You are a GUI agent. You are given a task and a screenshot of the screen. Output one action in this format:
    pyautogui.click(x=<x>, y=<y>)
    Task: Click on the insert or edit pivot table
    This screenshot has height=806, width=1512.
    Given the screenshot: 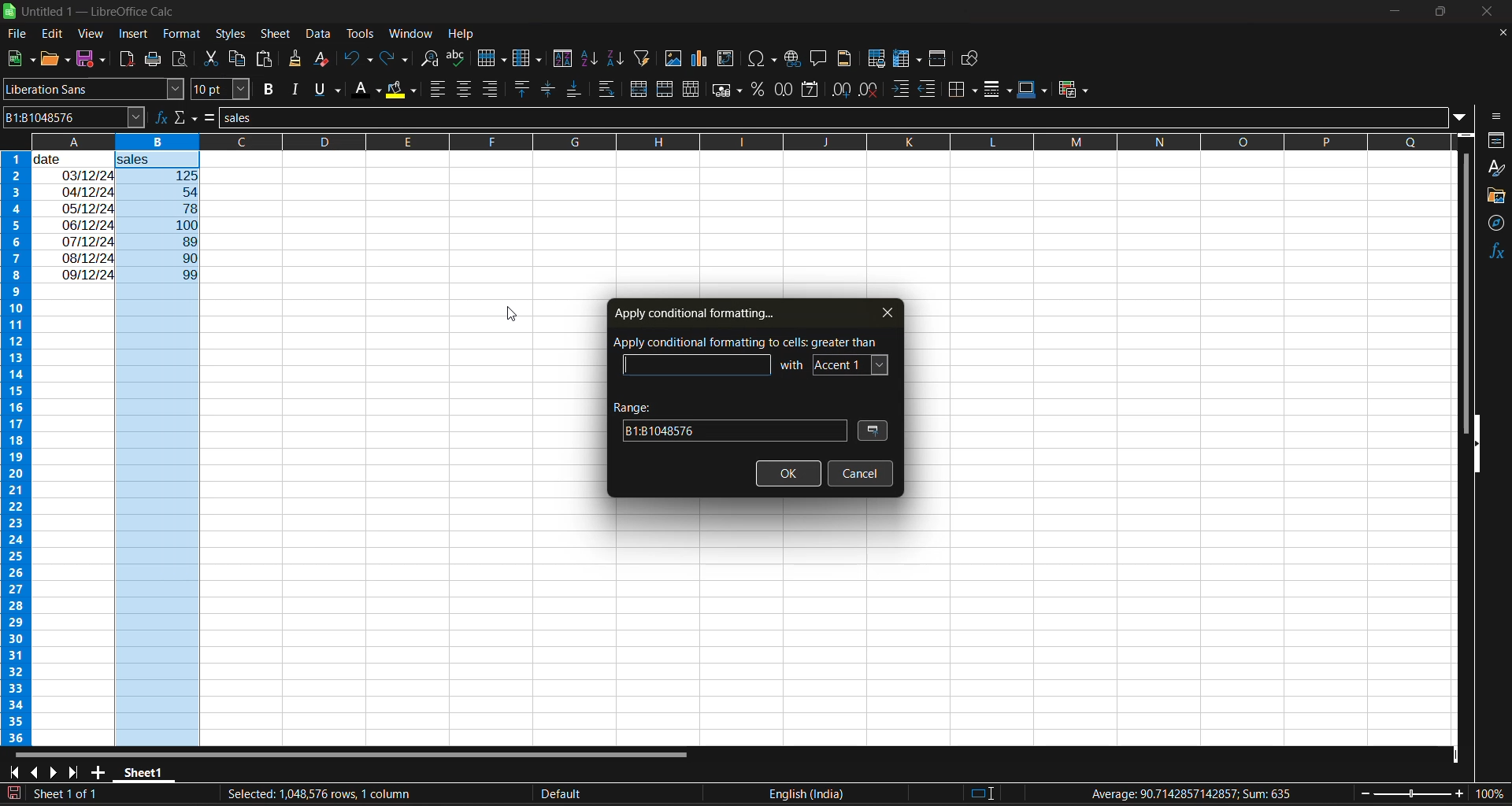 What is the action you would take?
    pyautogui.click(x=726, y=58)
    